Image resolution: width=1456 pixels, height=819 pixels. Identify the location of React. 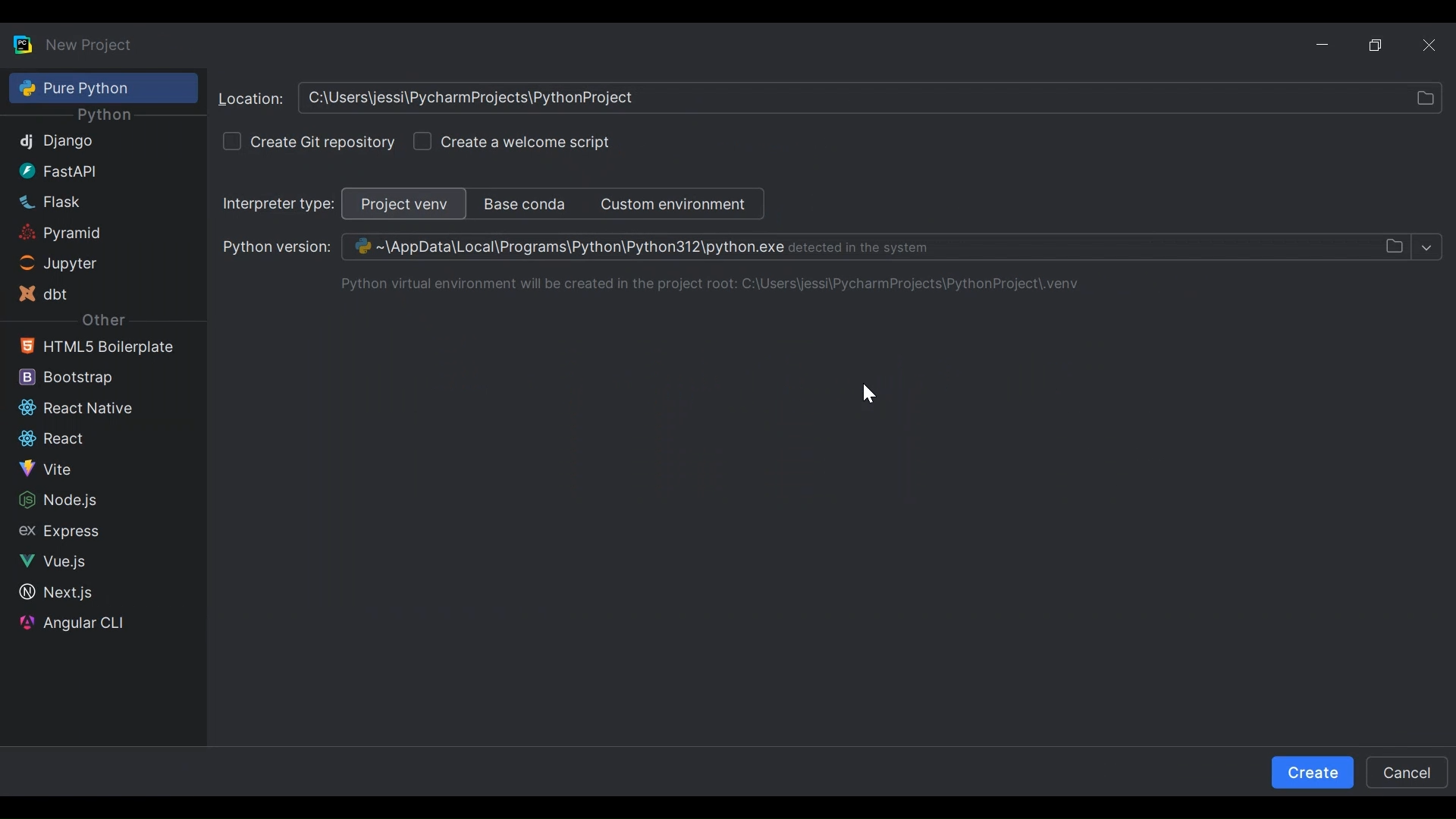
(96, 439).